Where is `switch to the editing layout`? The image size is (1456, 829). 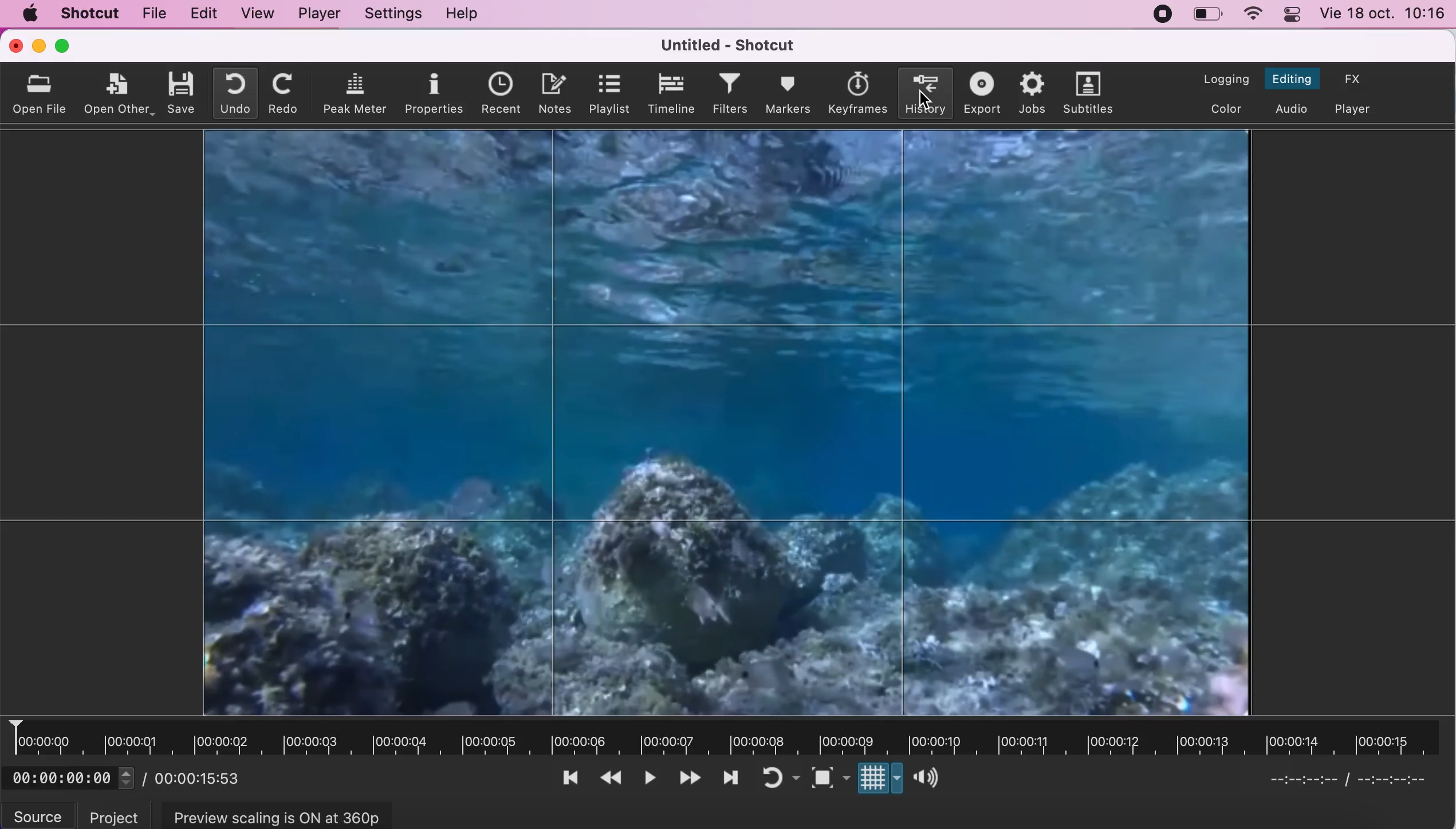
switch to the editing layout is located at coordinates (1293, 75).